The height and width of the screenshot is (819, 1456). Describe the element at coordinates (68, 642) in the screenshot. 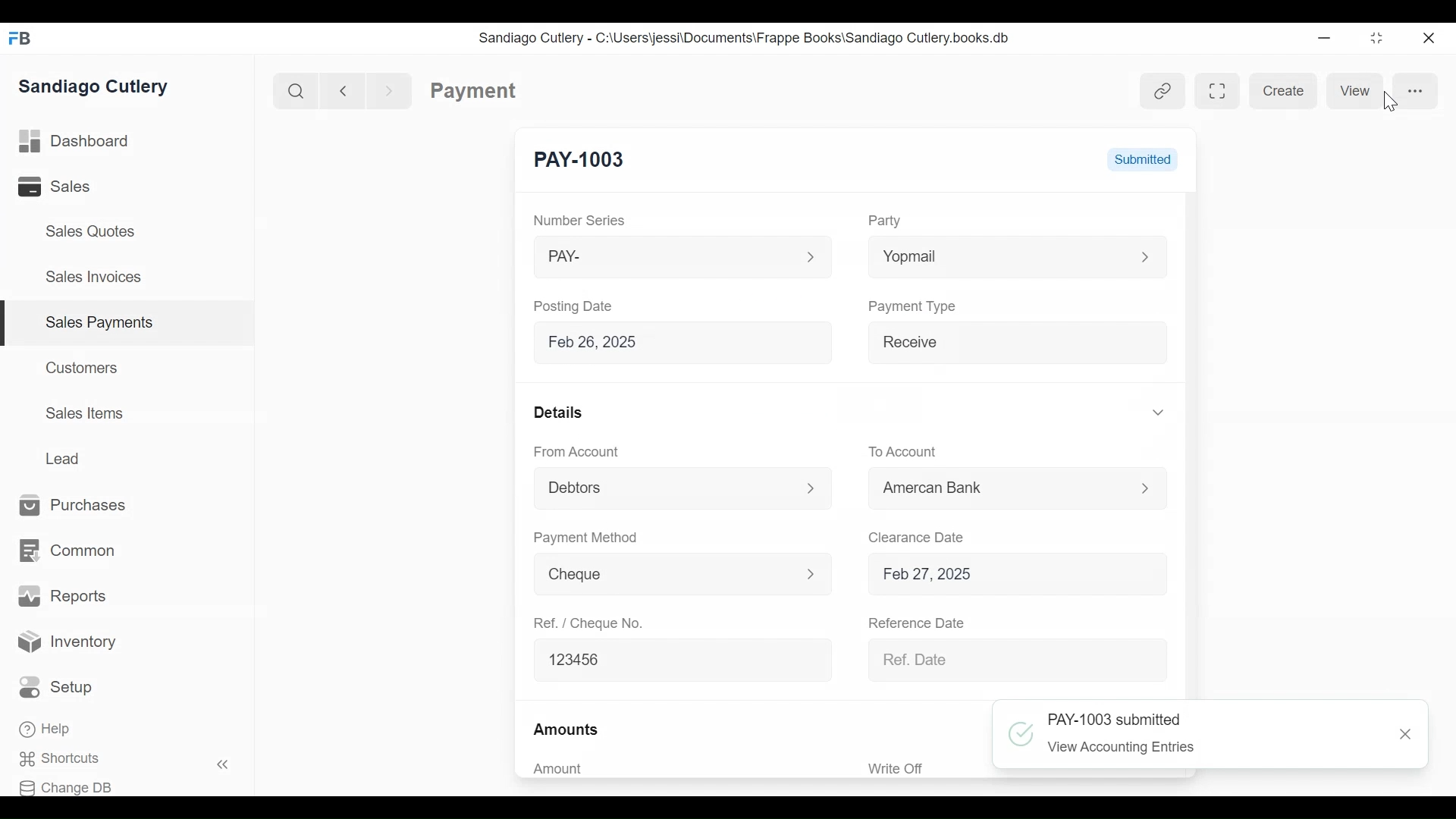

I see `Inventory` at that location.